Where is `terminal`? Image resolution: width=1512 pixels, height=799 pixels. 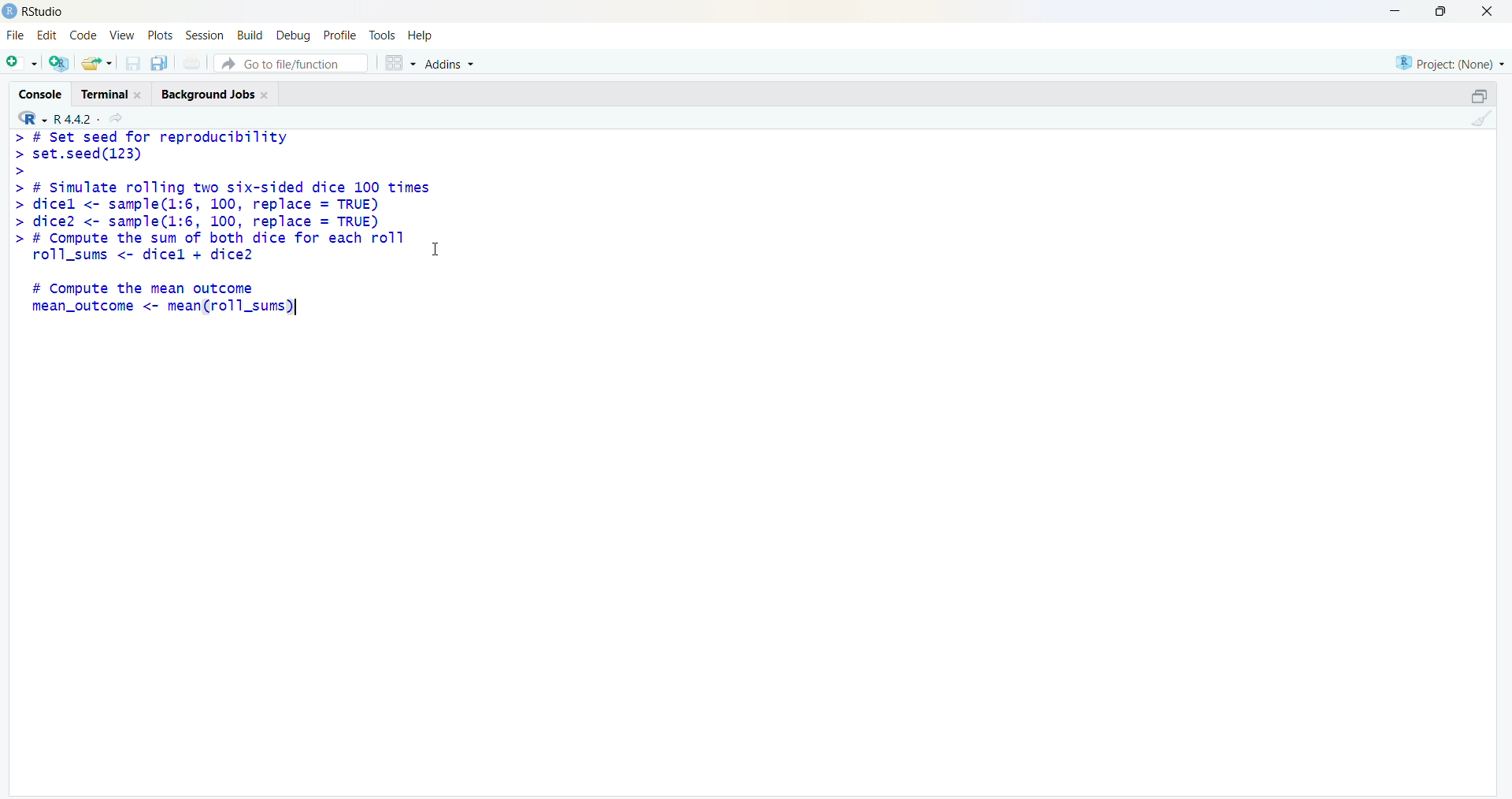 terminal is located at coordinates (104, 95).